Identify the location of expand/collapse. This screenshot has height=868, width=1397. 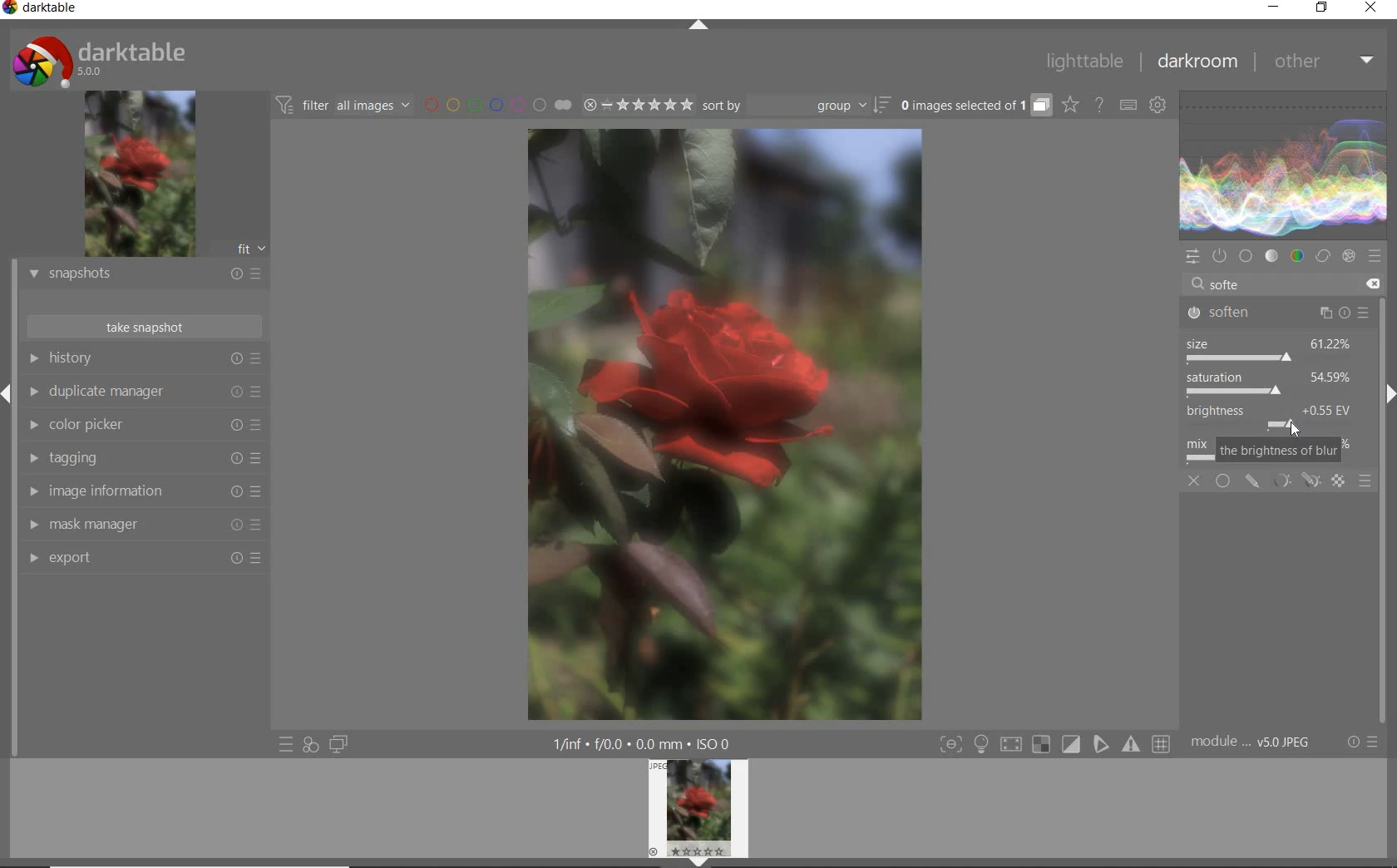
(702, 27).